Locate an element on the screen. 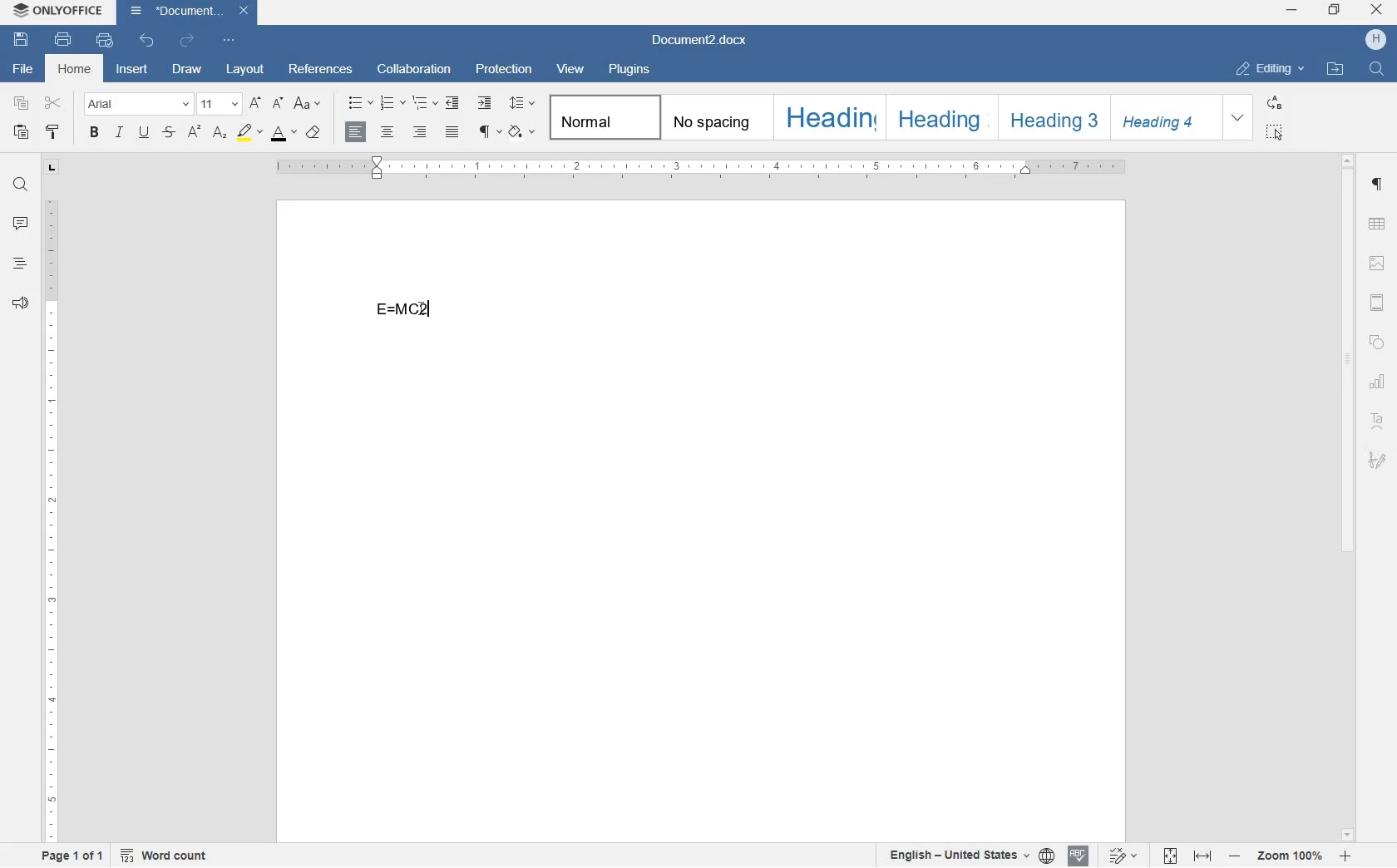 This screenshot has width=1397, height=868. table is located at coordinates (1378, 224).